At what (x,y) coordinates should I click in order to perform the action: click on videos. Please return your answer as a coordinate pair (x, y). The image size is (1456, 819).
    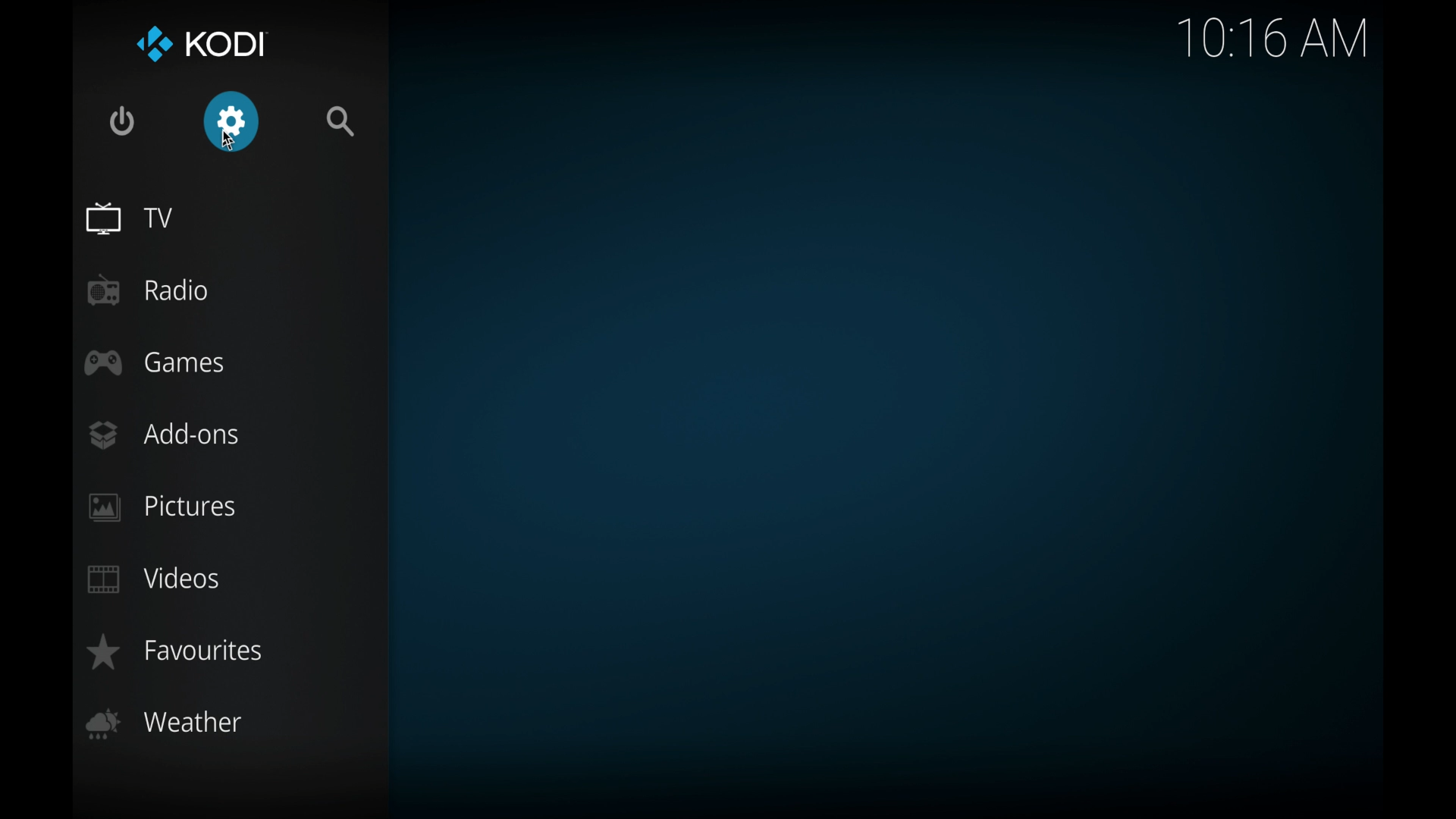
    Looking at the image, I should click on (155, 579).